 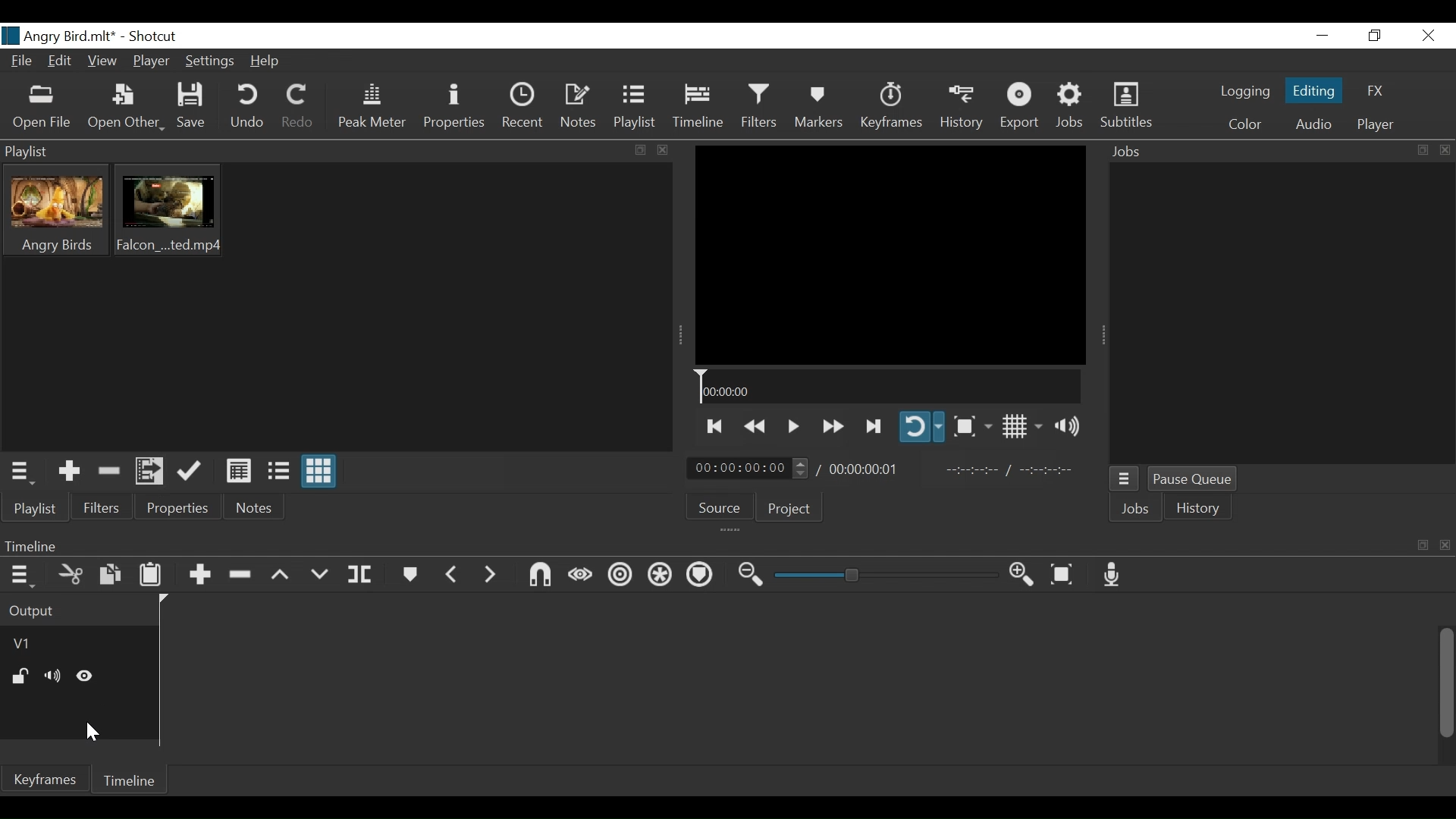 I want to click on , so click(x=1373, y=125).